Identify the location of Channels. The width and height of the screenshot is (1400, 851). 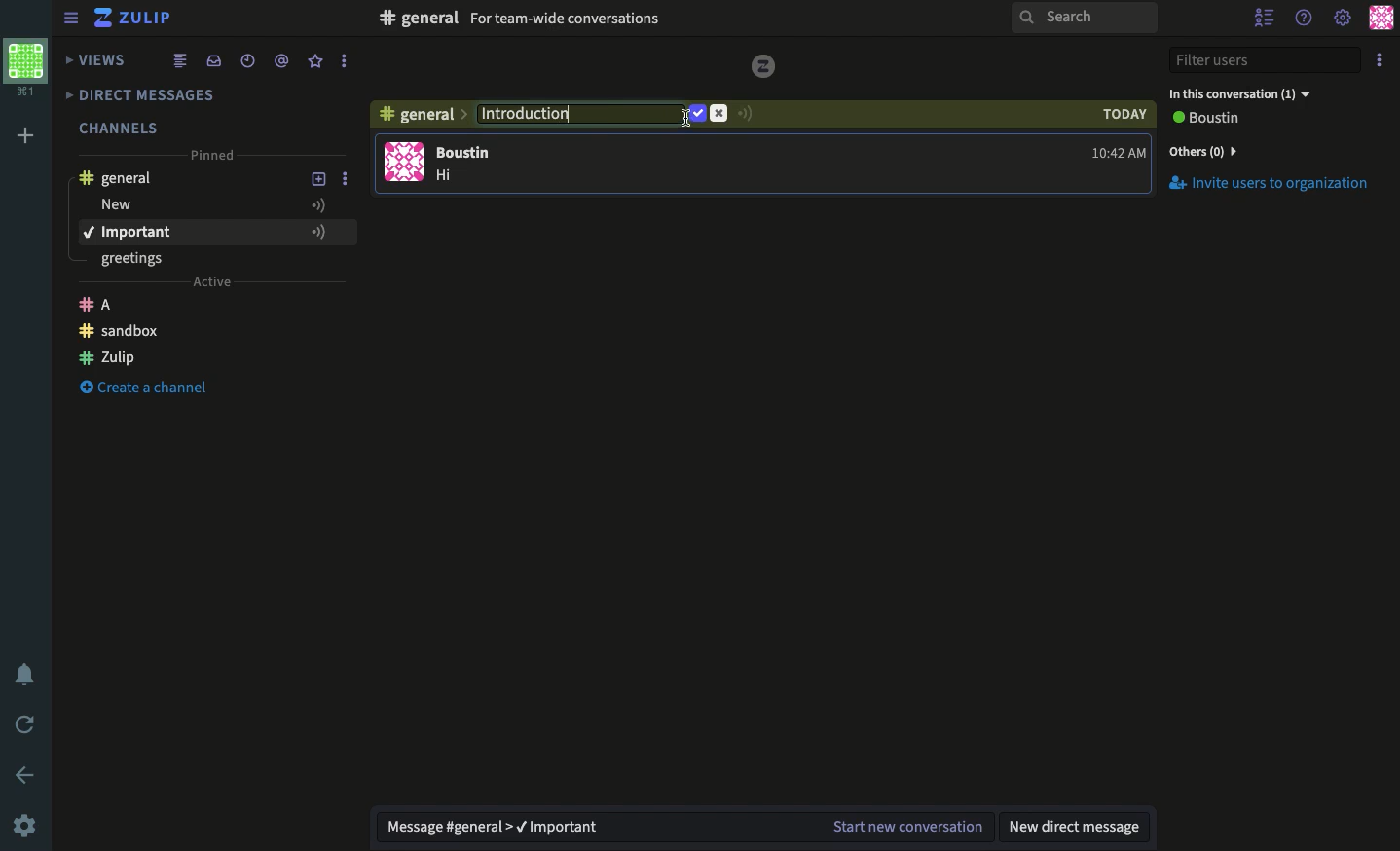
(121, 124).